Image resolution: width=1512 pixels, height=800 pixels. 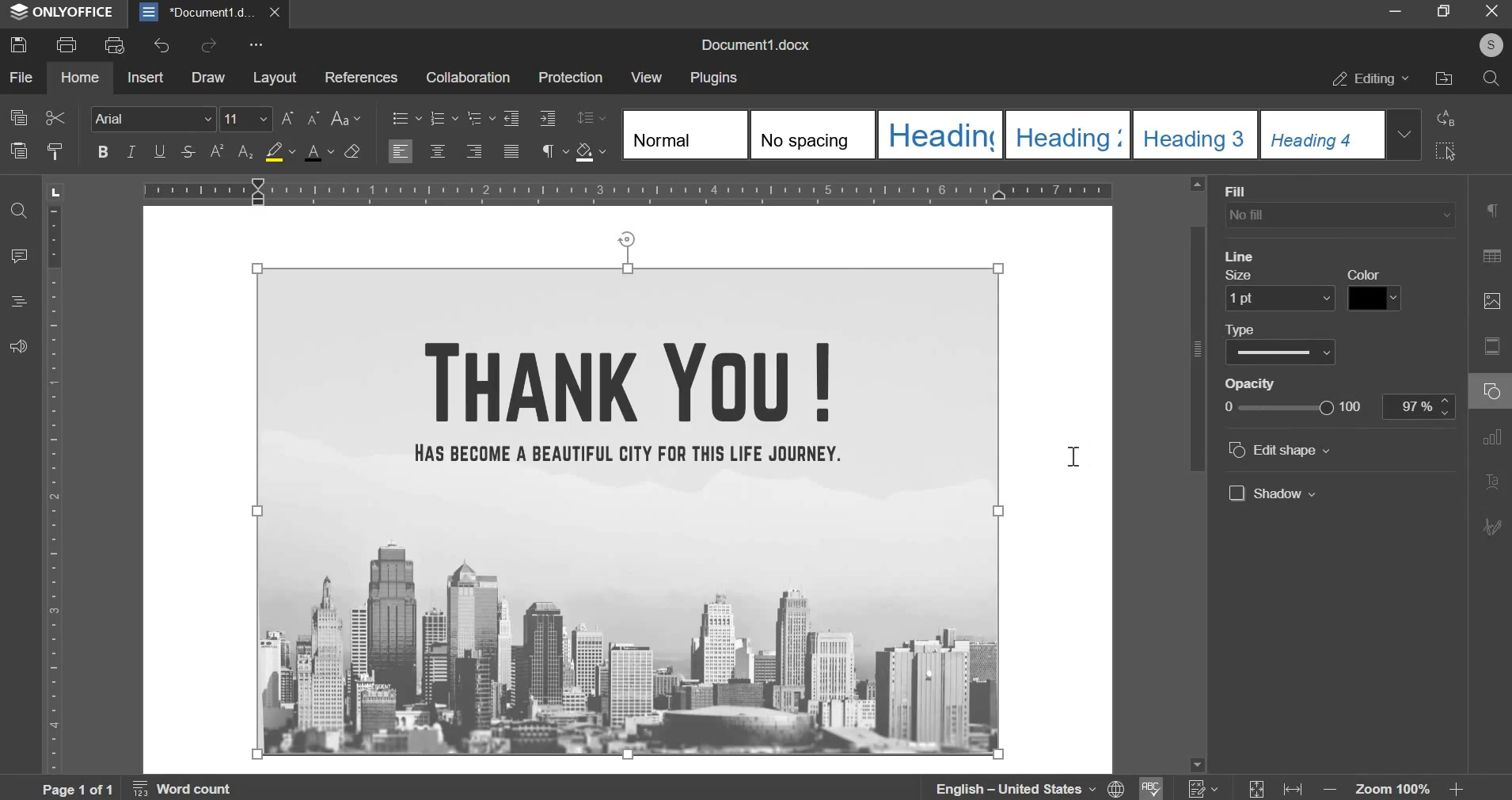 What do you see at coordinates (160, 45) in the screenshot?
I see `undo` at bounding box center [160, 45].